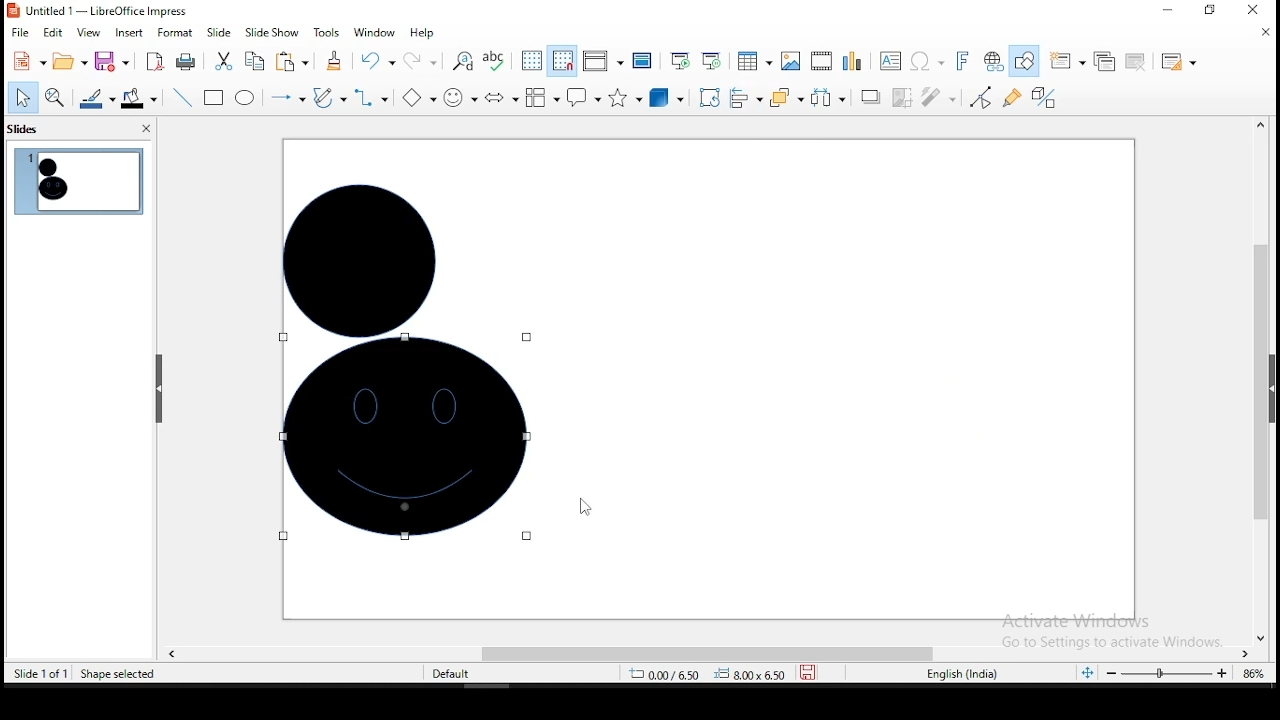 This screenshot has width=1280, height=720. I want to click on insert hyperlink, so click(992, 62).